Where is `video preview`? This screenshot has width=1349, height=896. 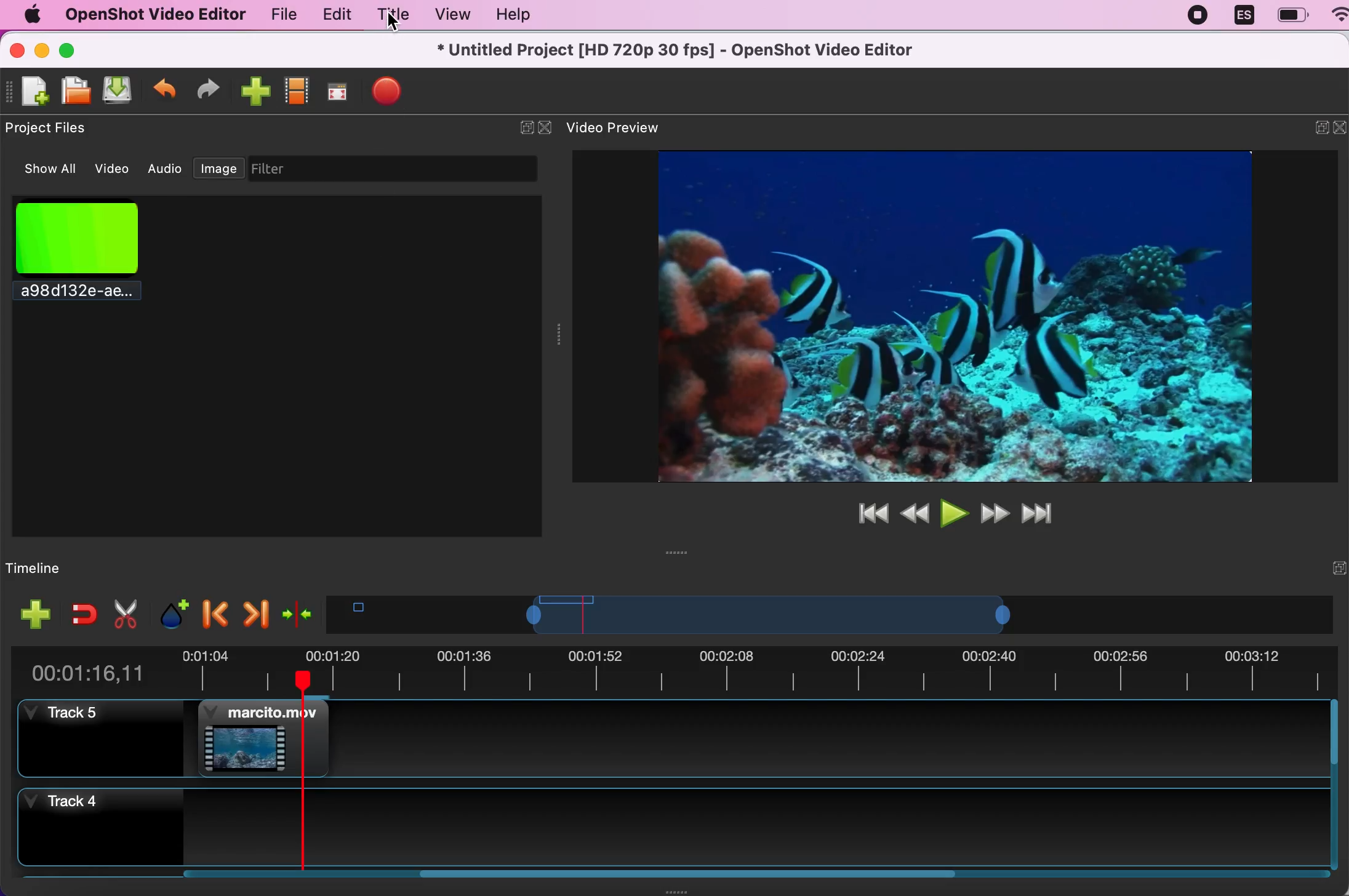 video preview is located at coordinates (939, 314).